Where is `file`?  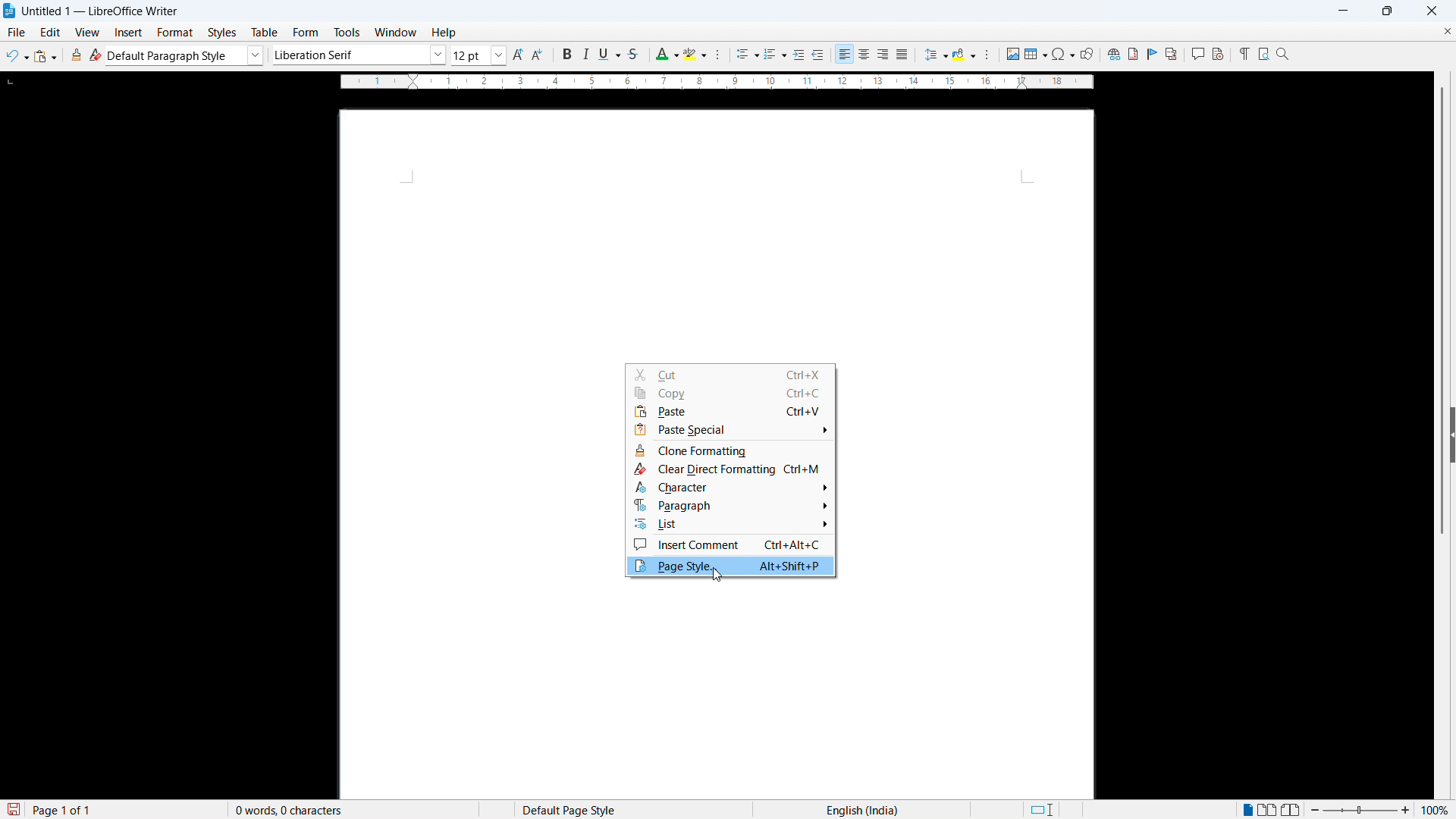 file is located at coordinates (15, 32).